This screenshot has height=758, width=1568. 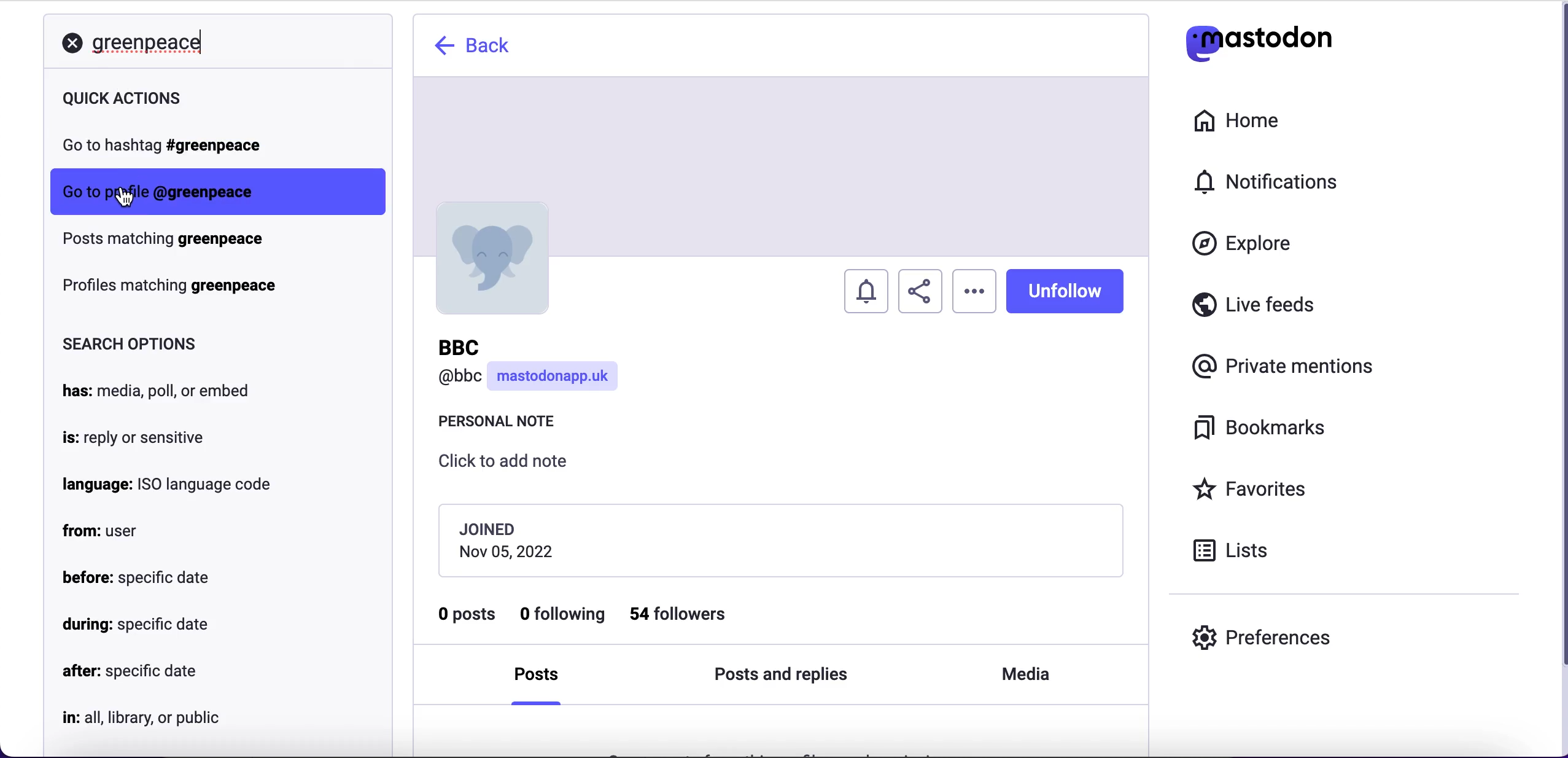 What do you see at coordinates (689, 614) in the screenshot?
I see `54 followers` at bounding box center [689, 614].